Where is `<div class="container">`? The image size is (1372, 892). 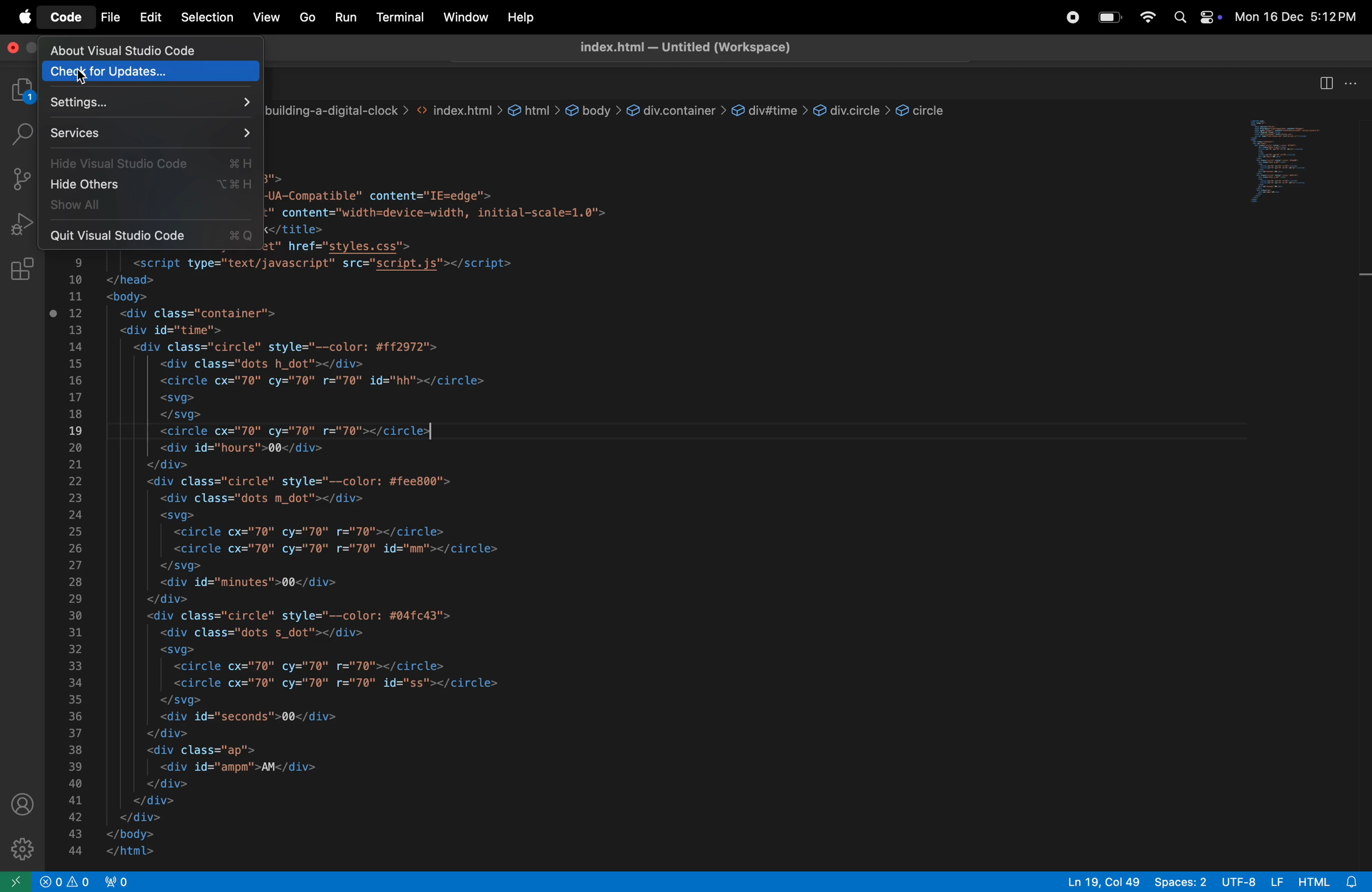
<div class="container"> is located at coordinates (198, 313).